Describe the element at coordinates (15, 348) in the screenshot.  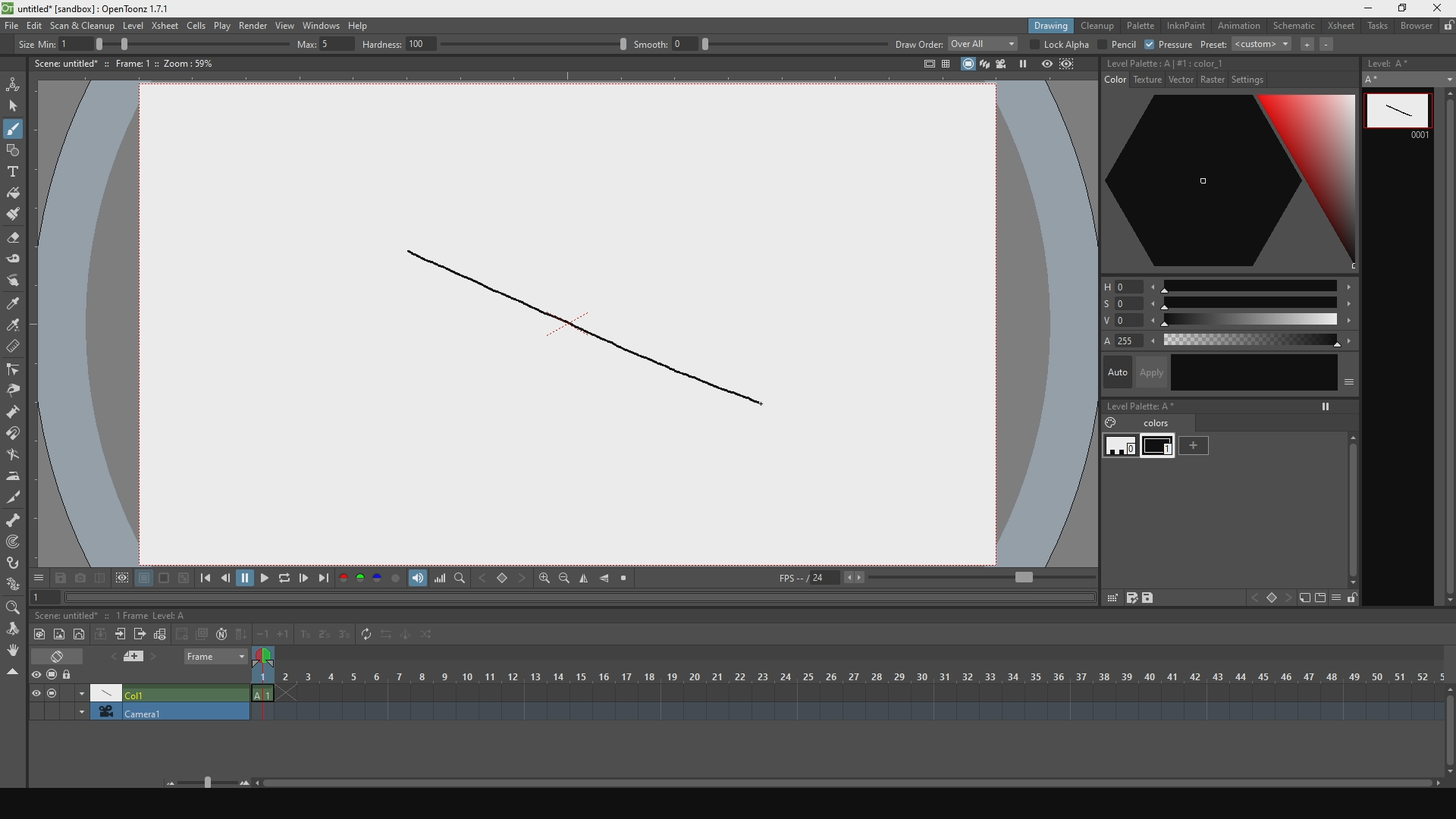
I see `delete` at that location.